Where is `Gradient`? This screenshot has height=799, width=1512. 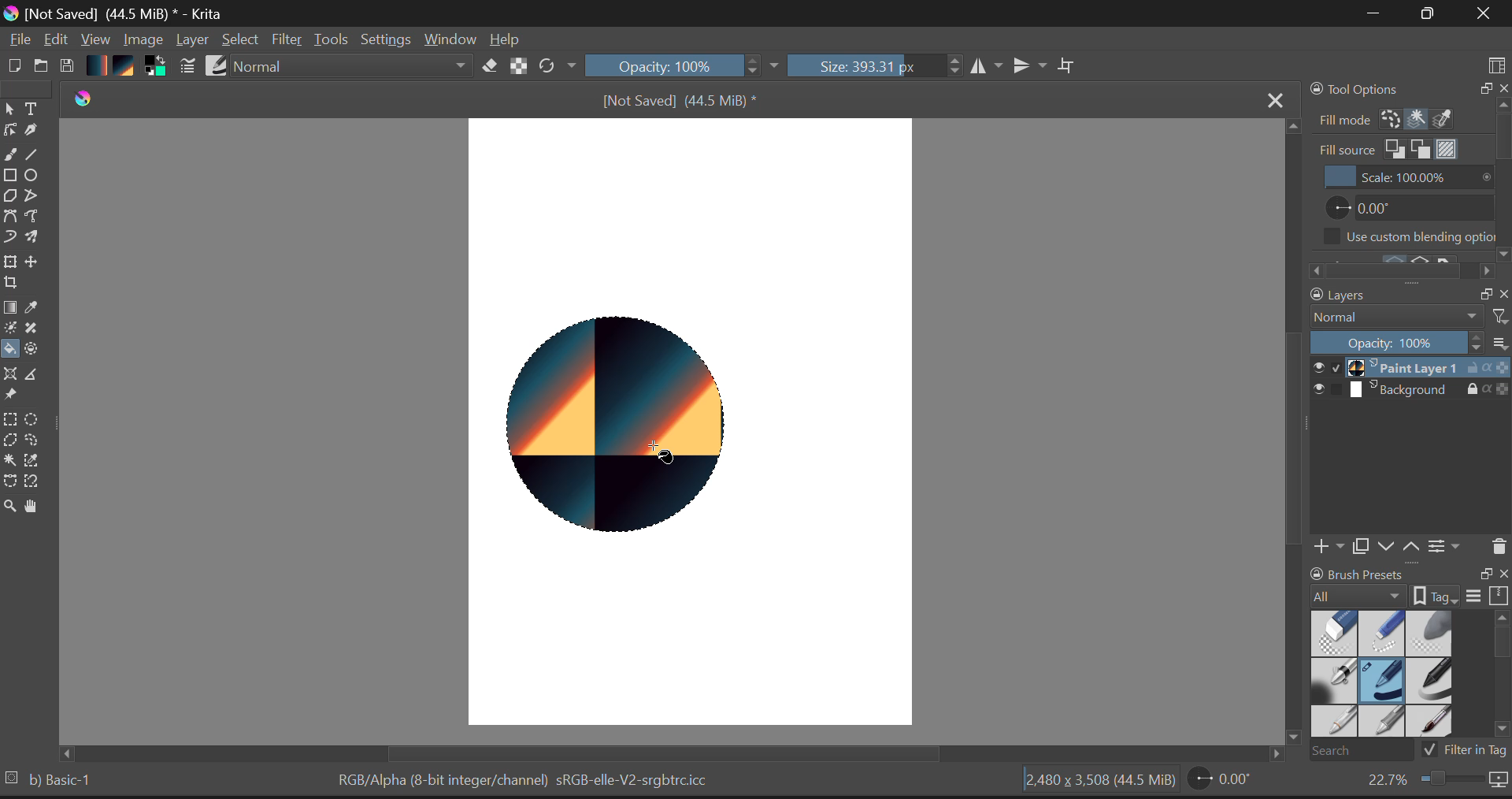
Gradient is located at coordinates (98, 66).